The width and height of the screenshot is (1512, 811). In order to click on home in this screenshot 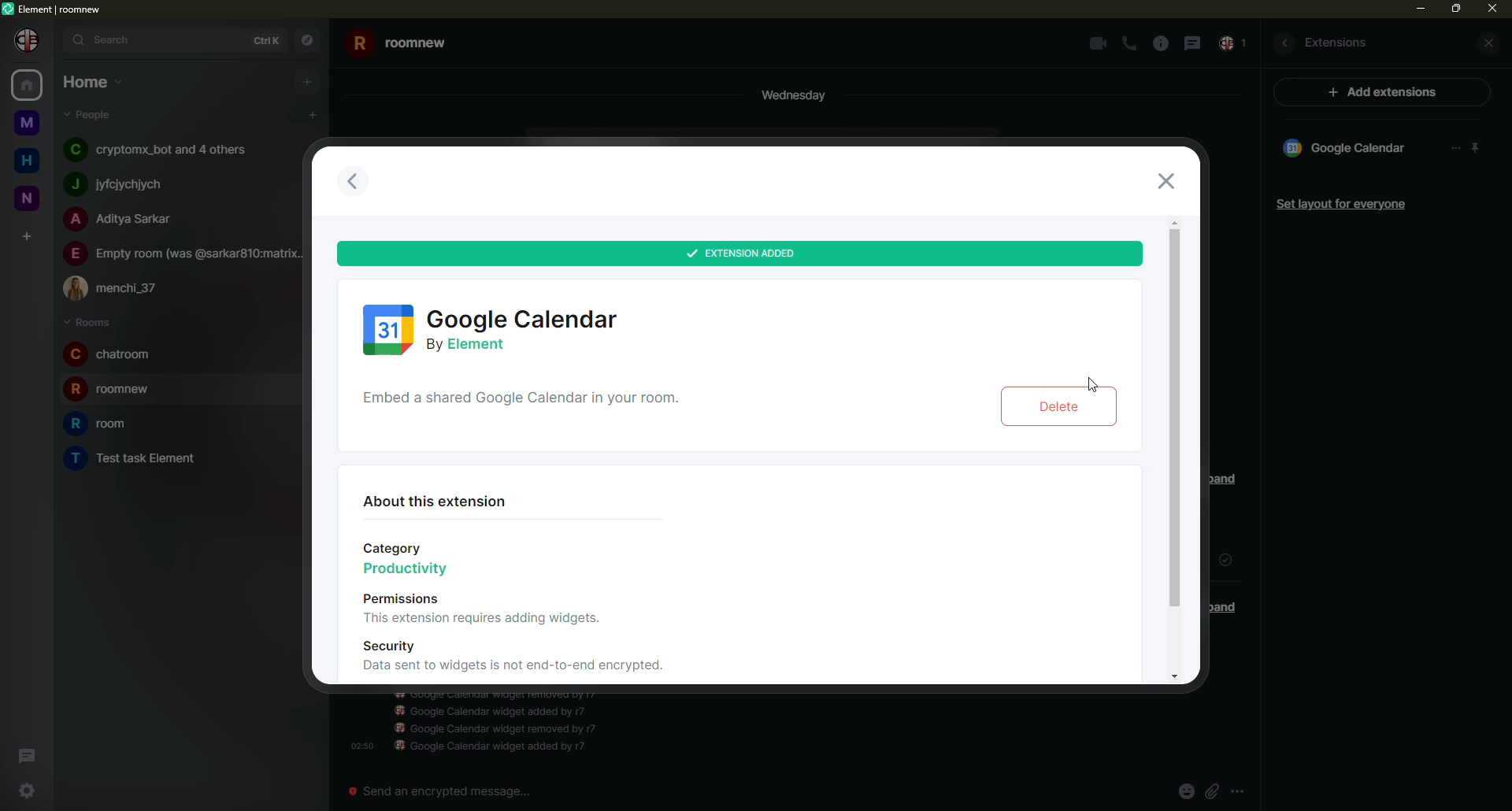, I will do `click(91, 81)`.